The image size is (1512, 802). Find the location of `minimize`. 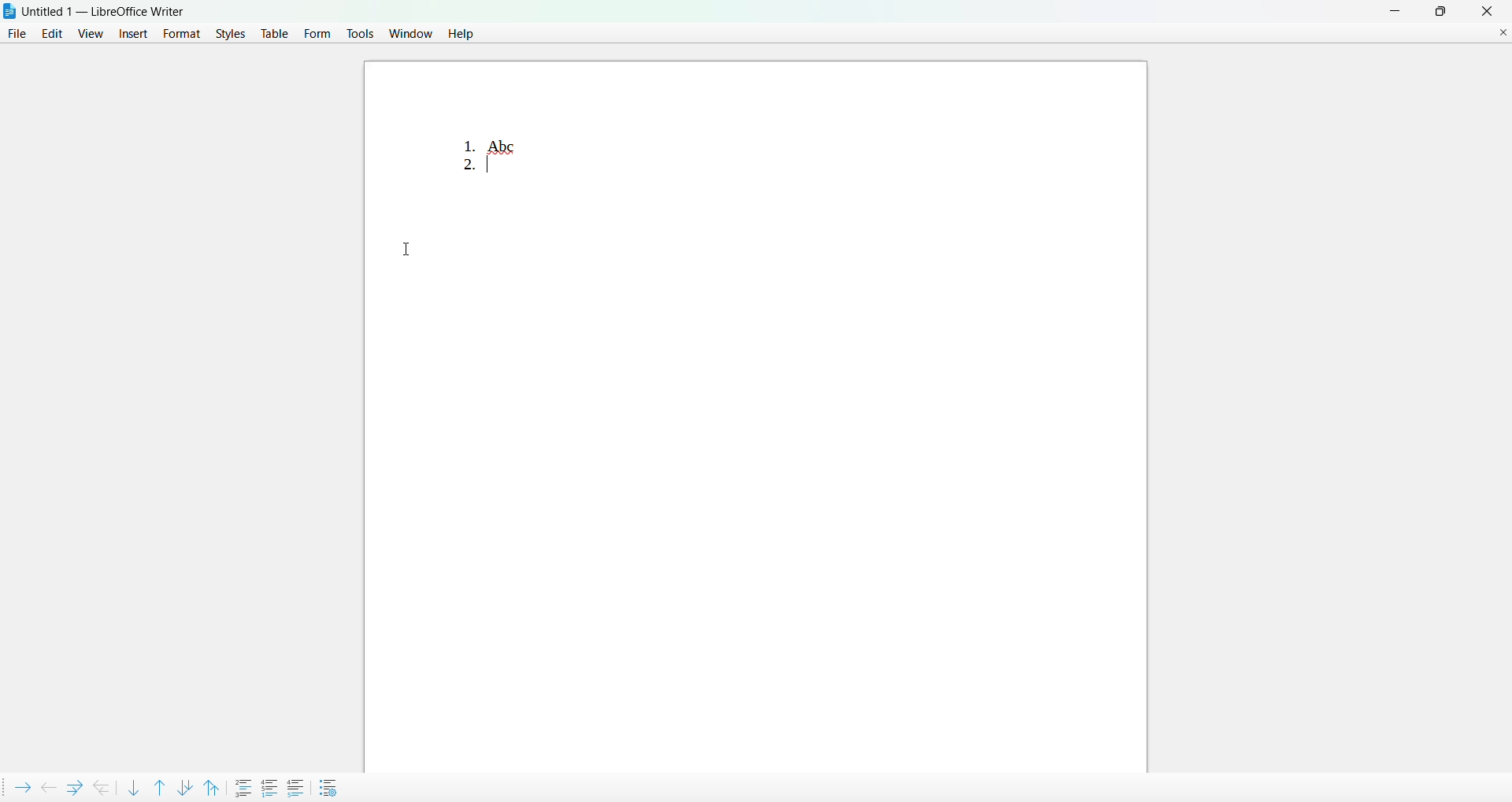

minimize is located at coordinates (1391, 10).